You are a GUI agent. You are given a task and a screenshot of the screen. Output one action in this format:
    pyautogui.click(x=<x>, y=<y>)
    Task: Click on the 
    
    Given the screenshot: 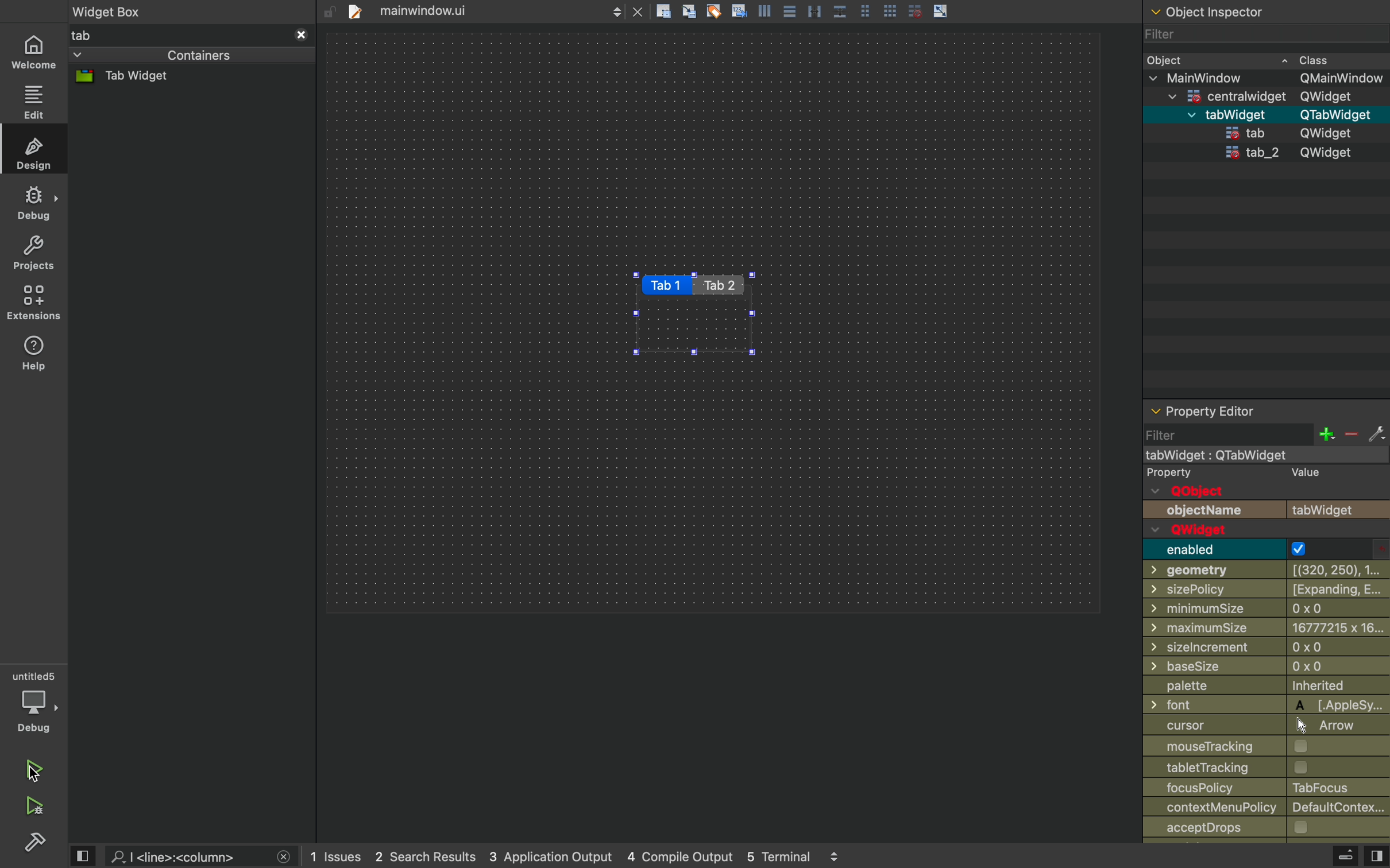 What is the action you would take?
    pyautogui.click(x=1264, y=649)
    